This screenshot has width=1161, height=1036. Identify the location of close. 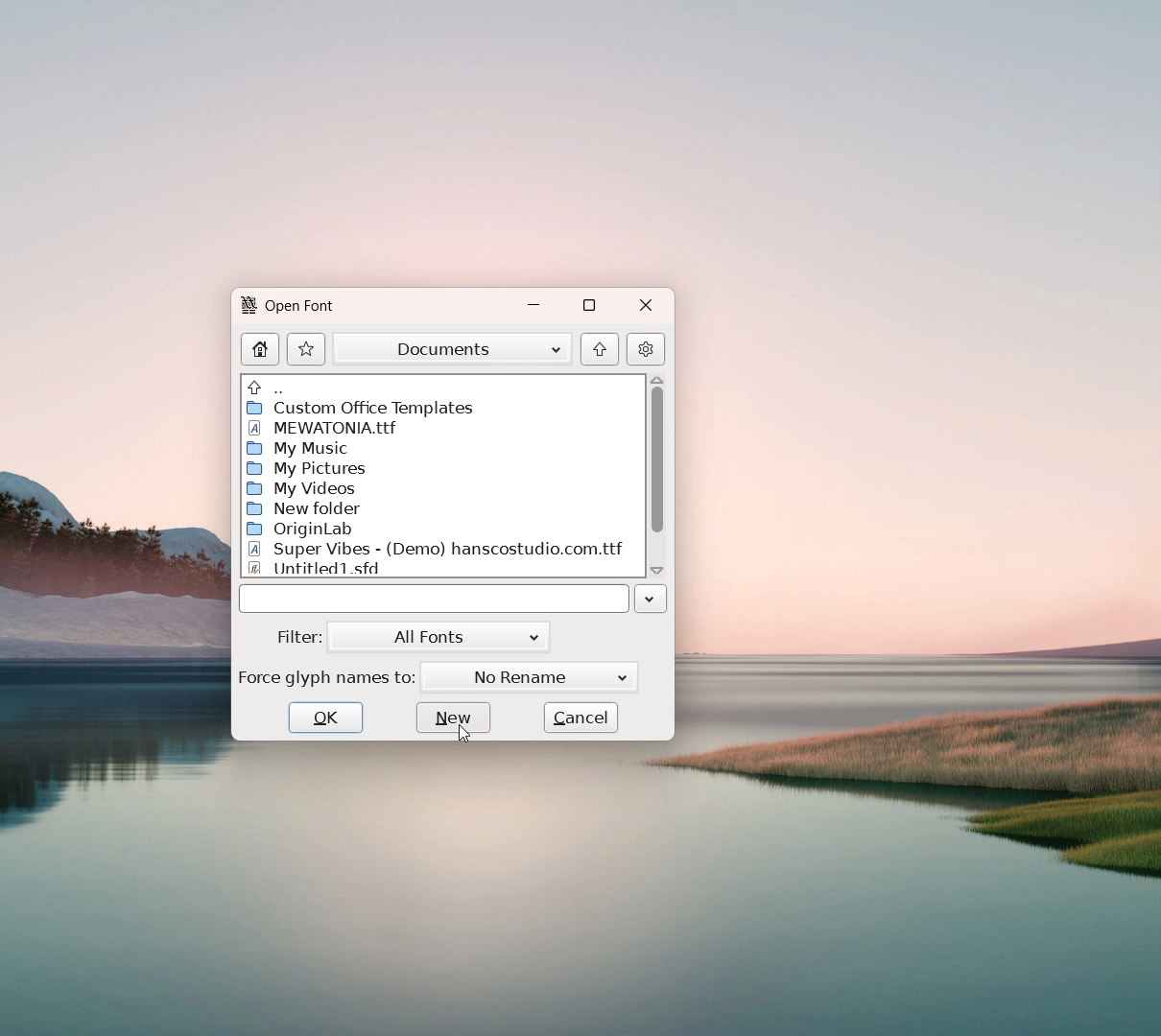
(647, 307).